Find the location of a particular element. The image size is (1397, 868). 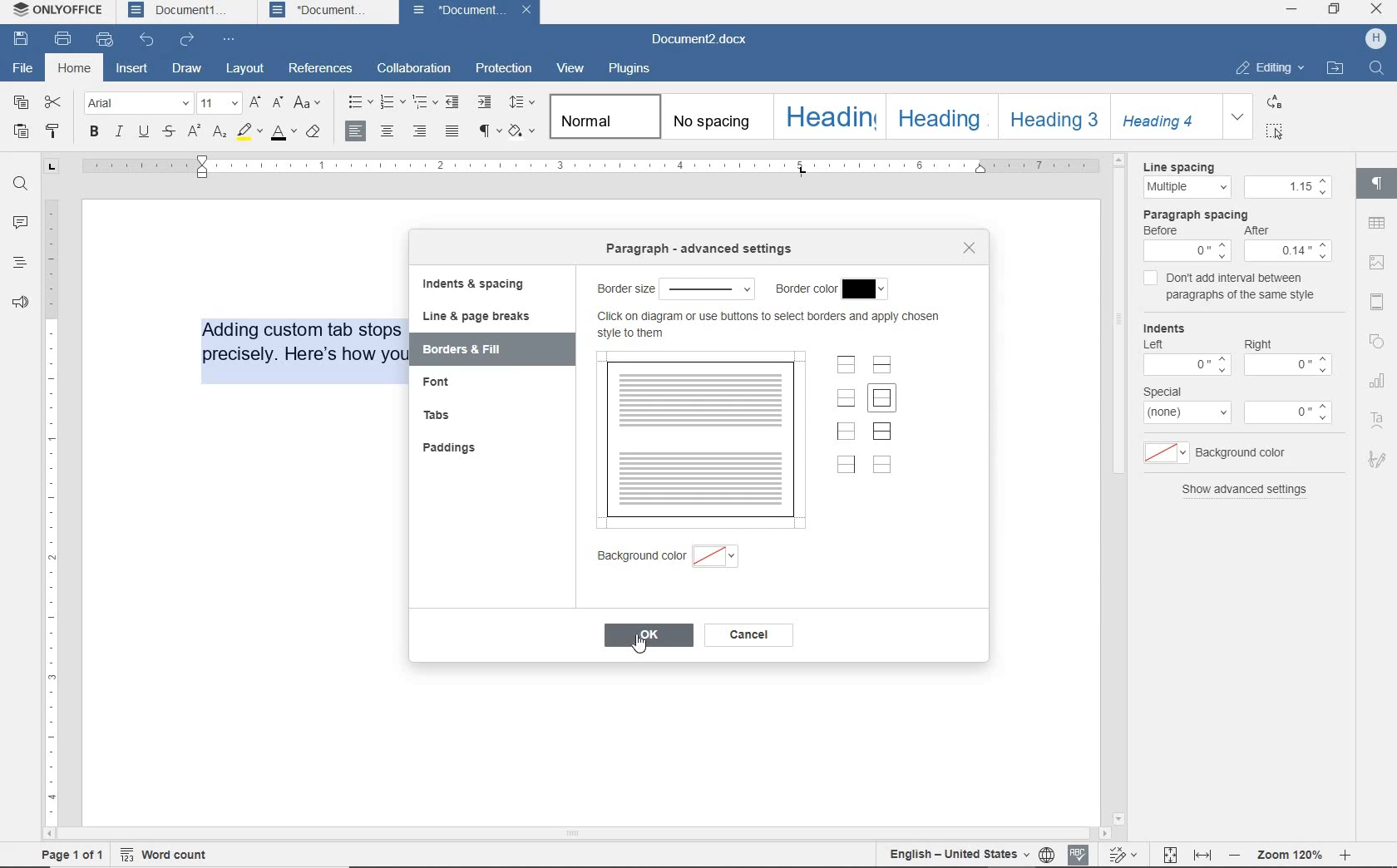

close is located at coordinates (969, 247).